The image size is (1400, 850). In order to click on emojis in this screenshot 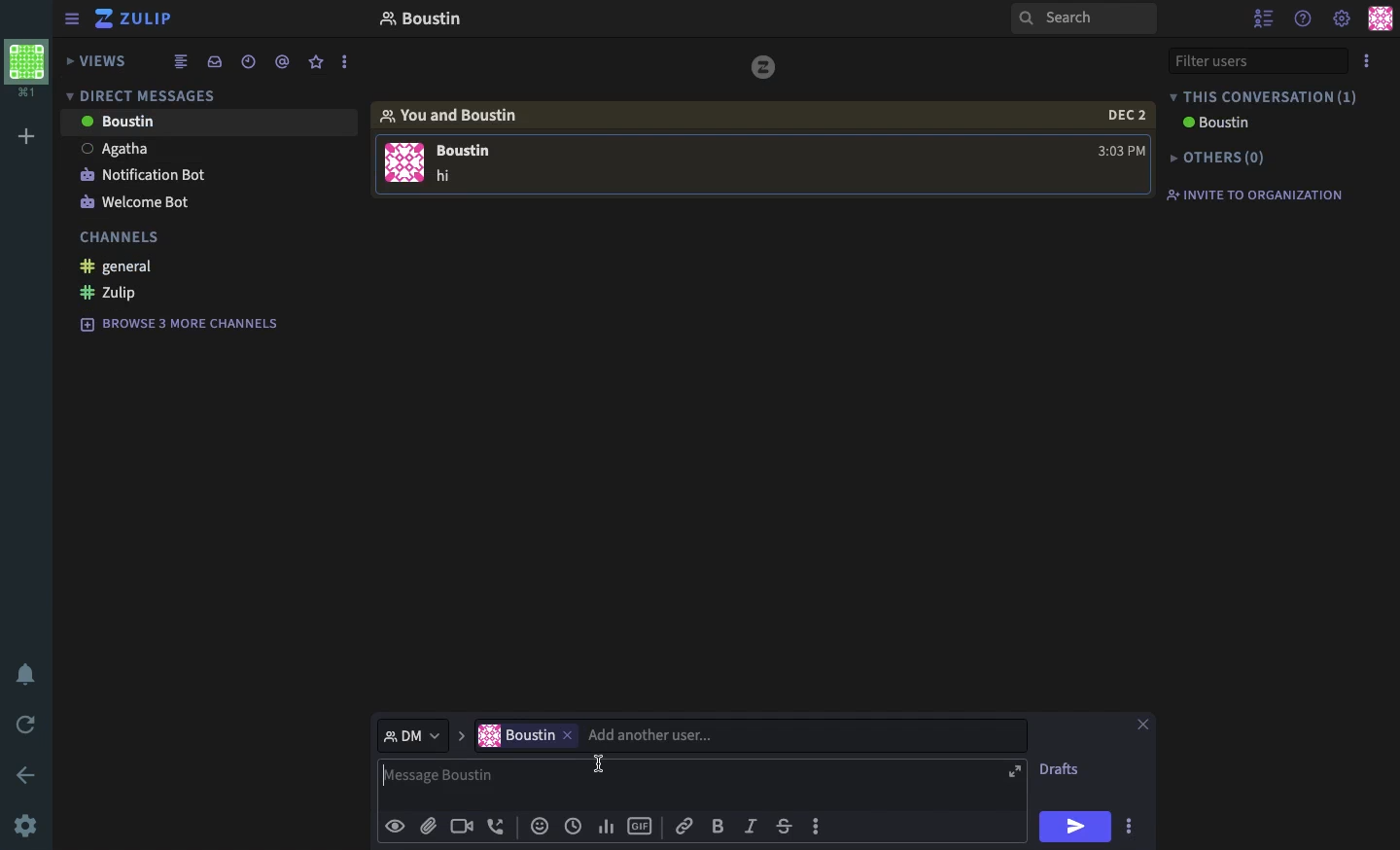, I will do `click(540, 824)`.